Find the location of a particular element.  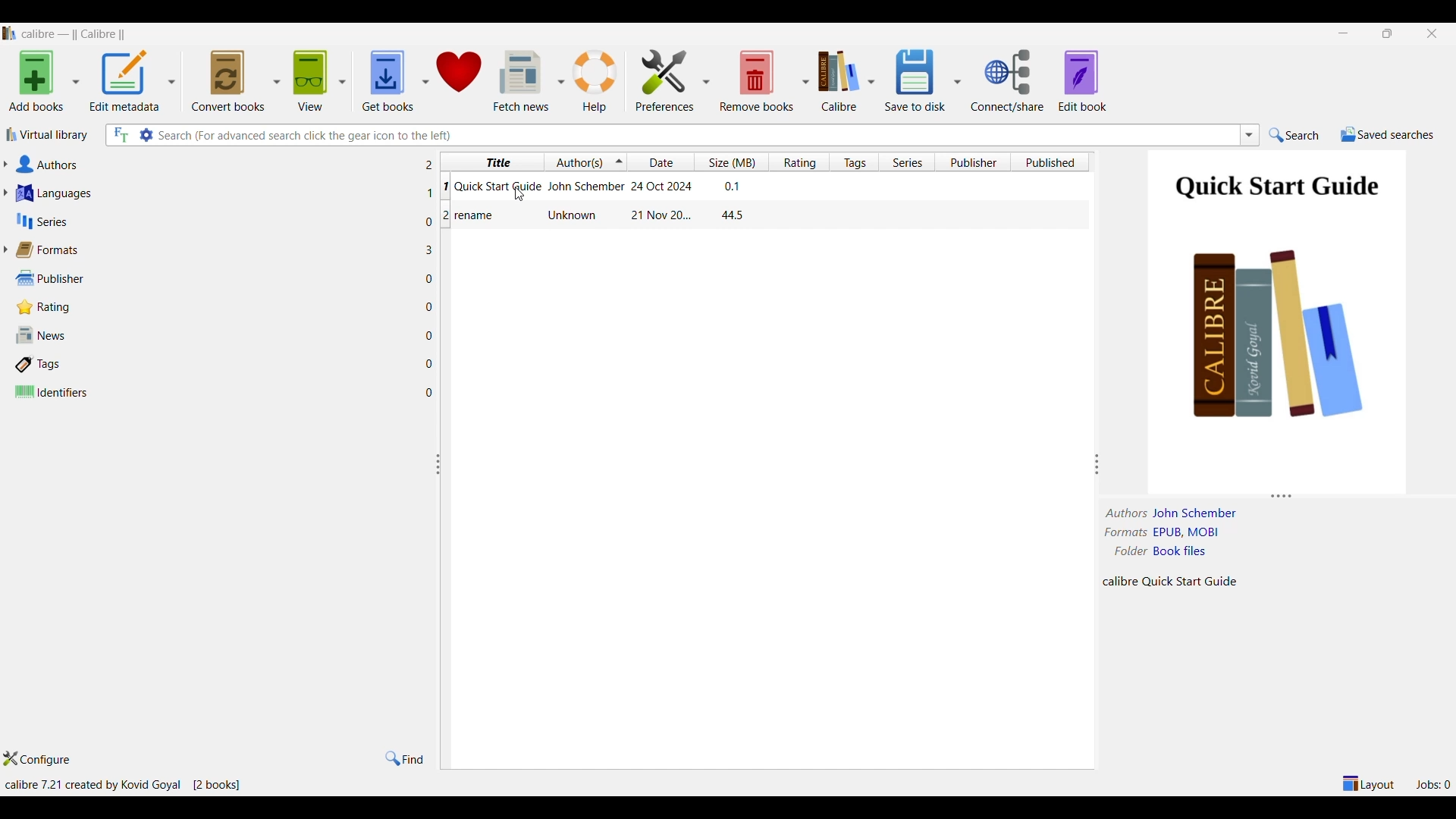

Formats is located at coordinates (214, 250).